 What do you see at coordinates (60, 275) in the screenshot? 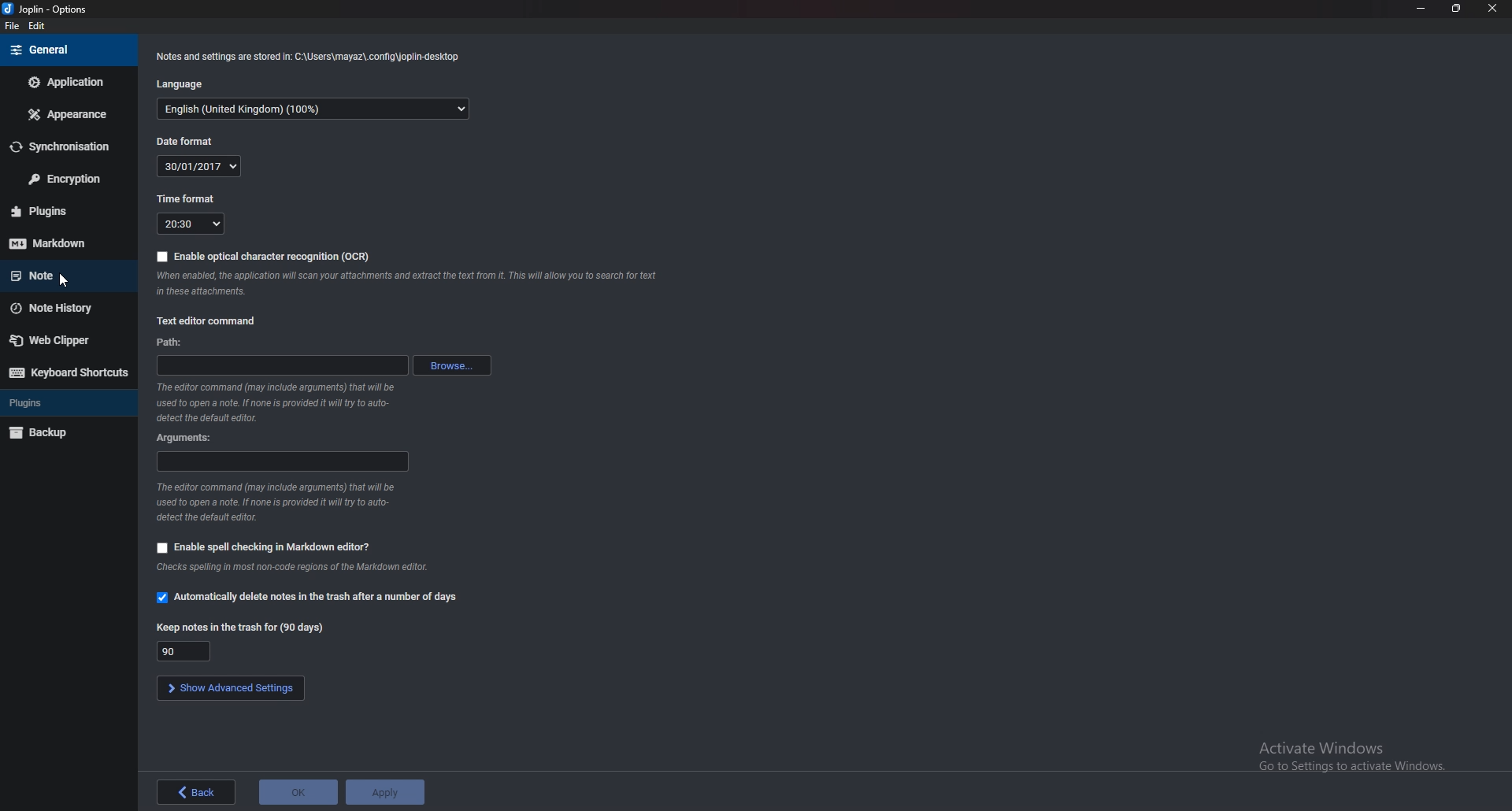
I see `note` at bounding box center [60, 275].